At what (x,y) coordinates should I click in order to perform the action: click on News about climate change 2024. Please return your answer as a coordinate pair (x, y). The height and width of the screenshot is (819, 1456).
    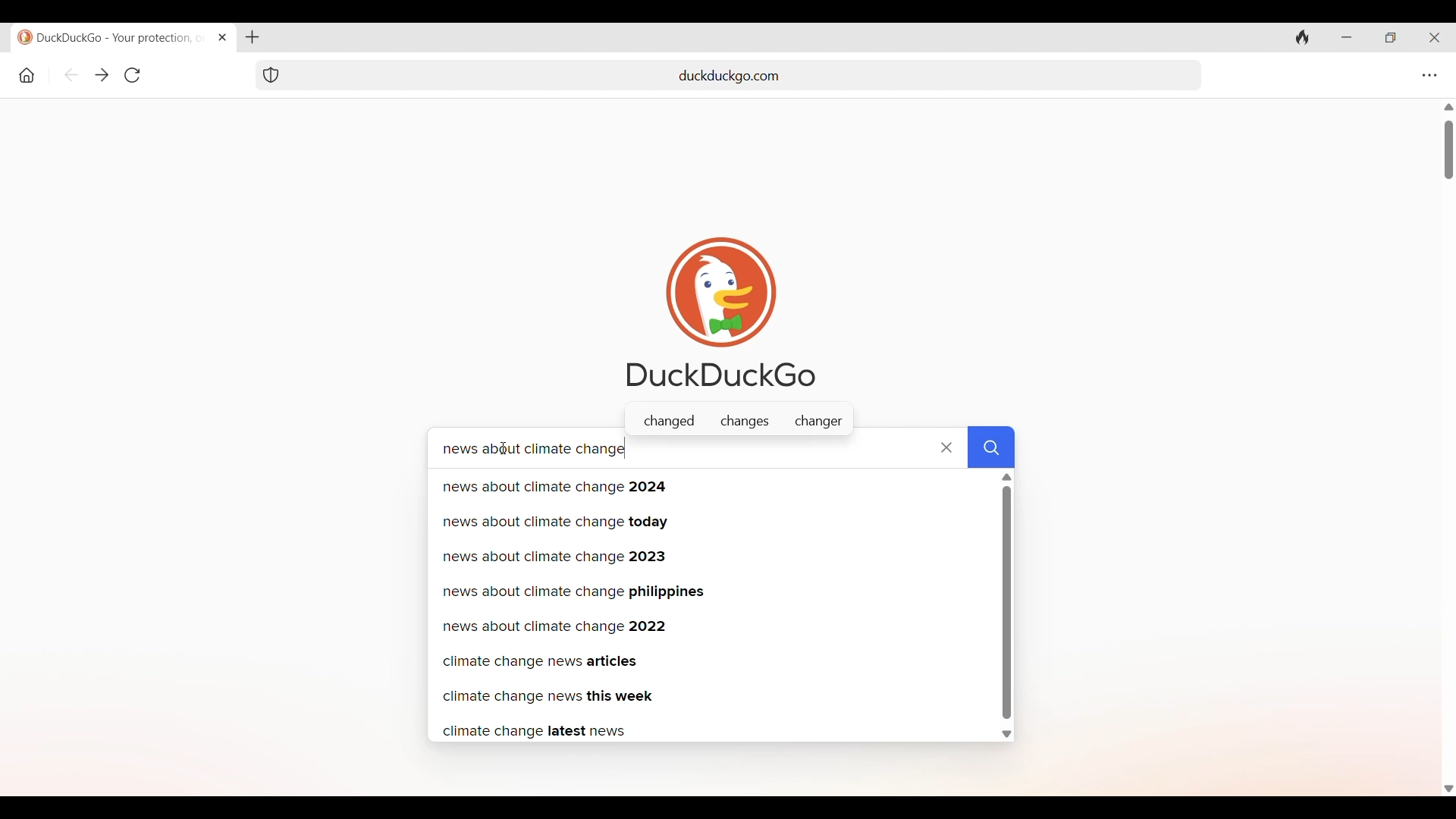
    Looking at the image, I should click on (712, 485).